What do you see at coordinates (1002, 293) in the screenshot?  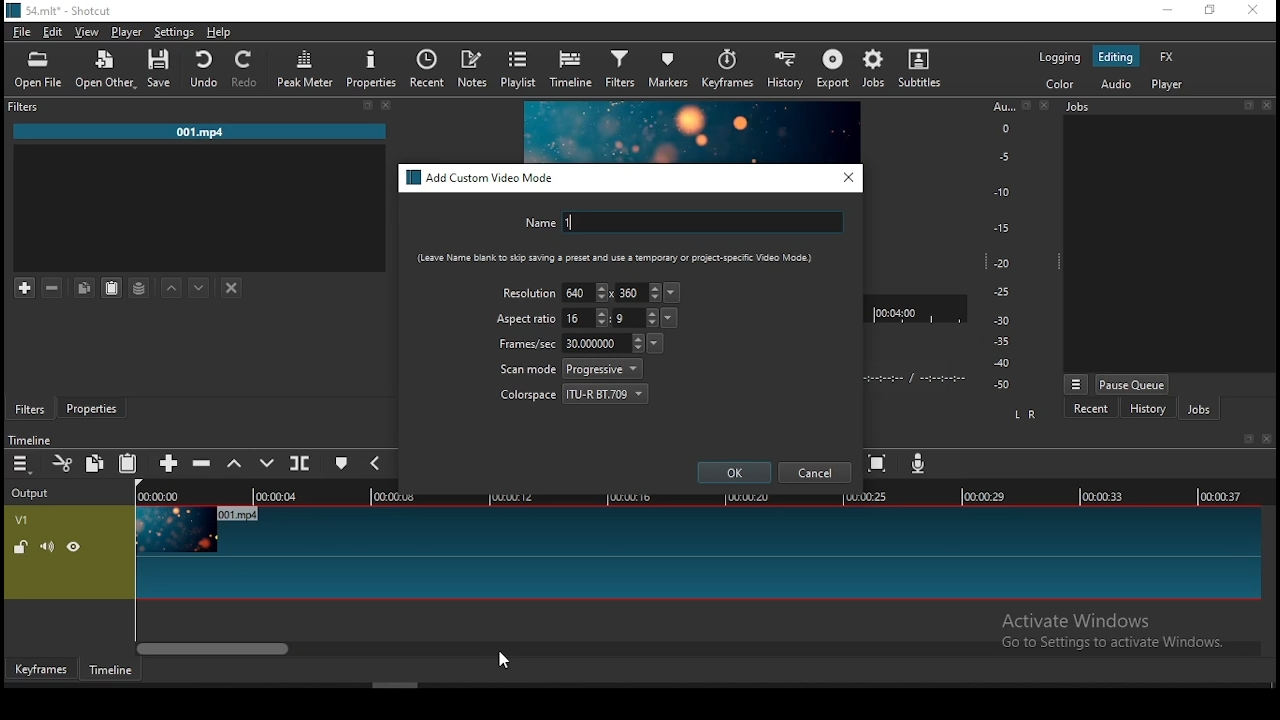 I see `-25` at bounding box center [1002, 293].